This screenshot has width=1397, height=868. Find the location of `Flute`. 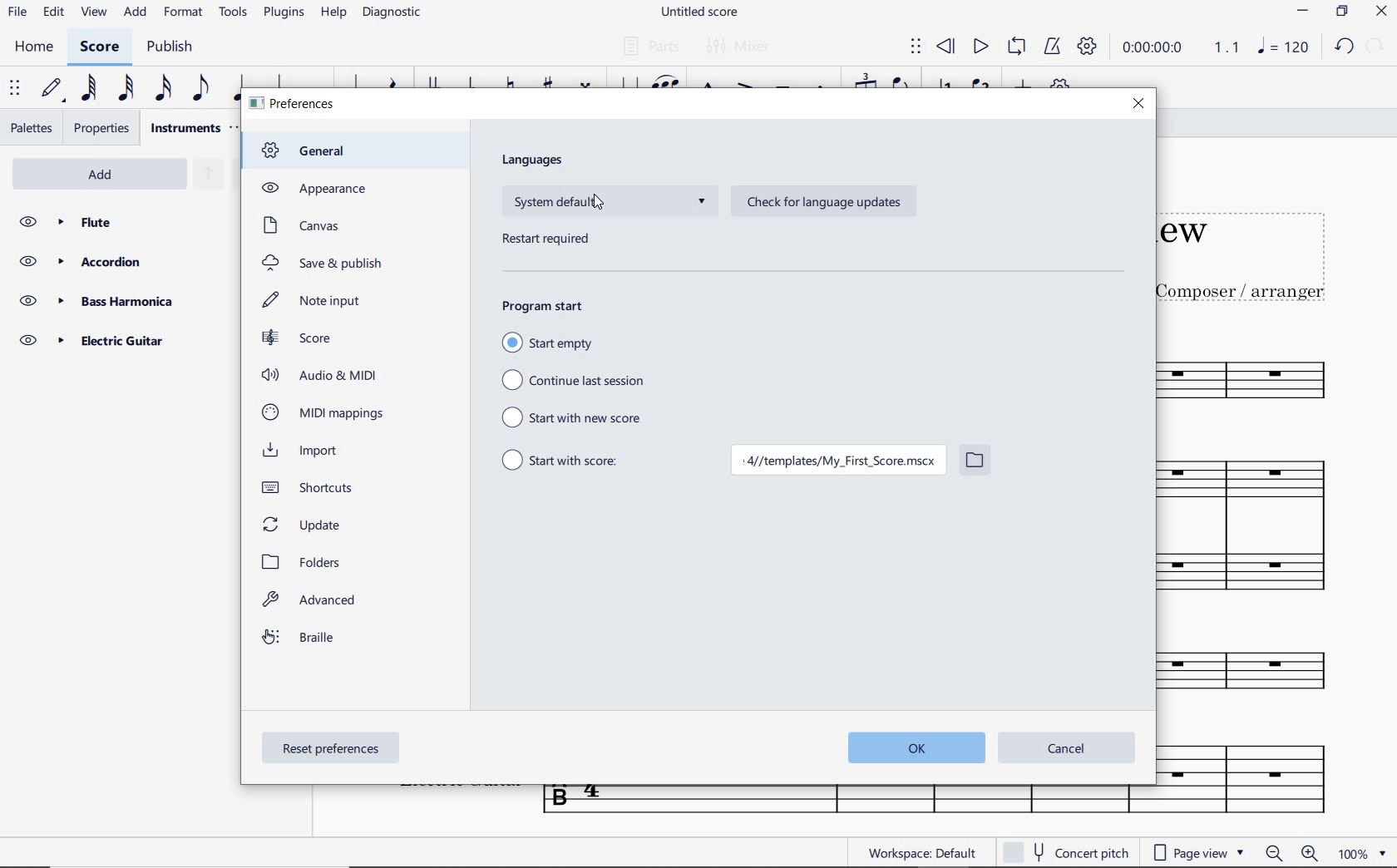

Flute is located at coordinates (123, 222).